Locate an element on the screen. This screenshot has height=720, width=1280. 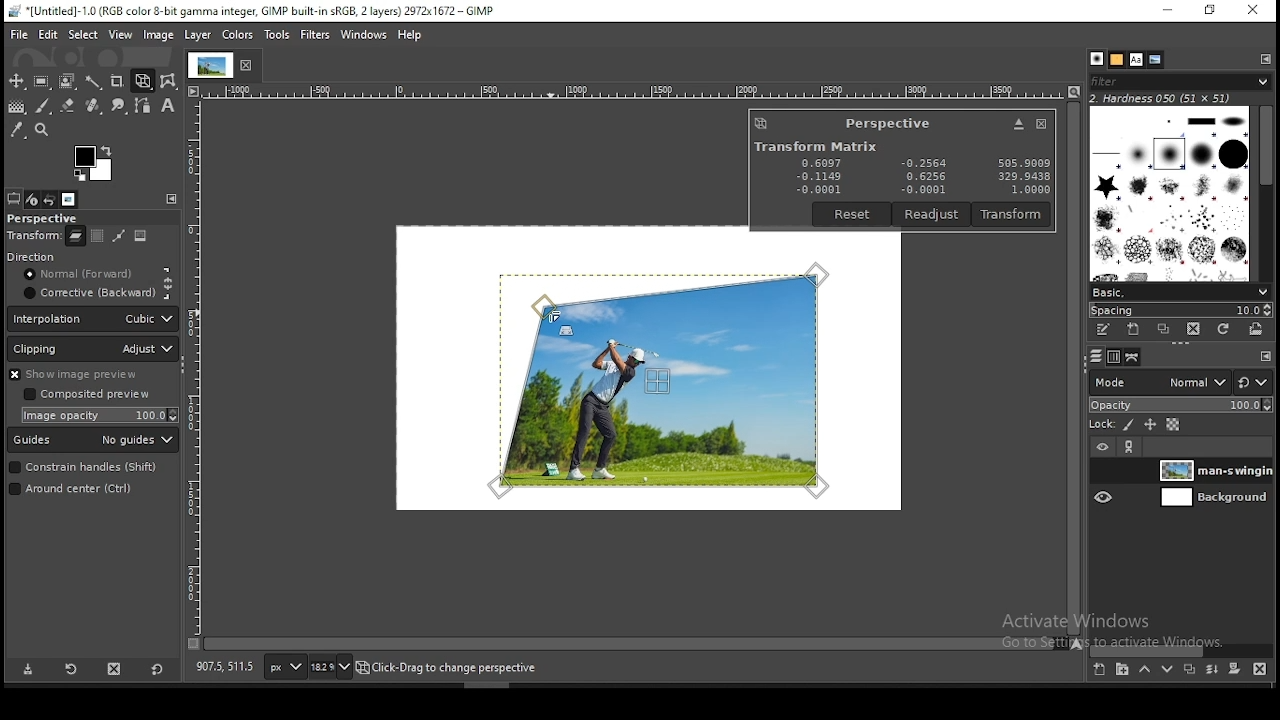
unified transform tool is located at coordinates (144, 81).